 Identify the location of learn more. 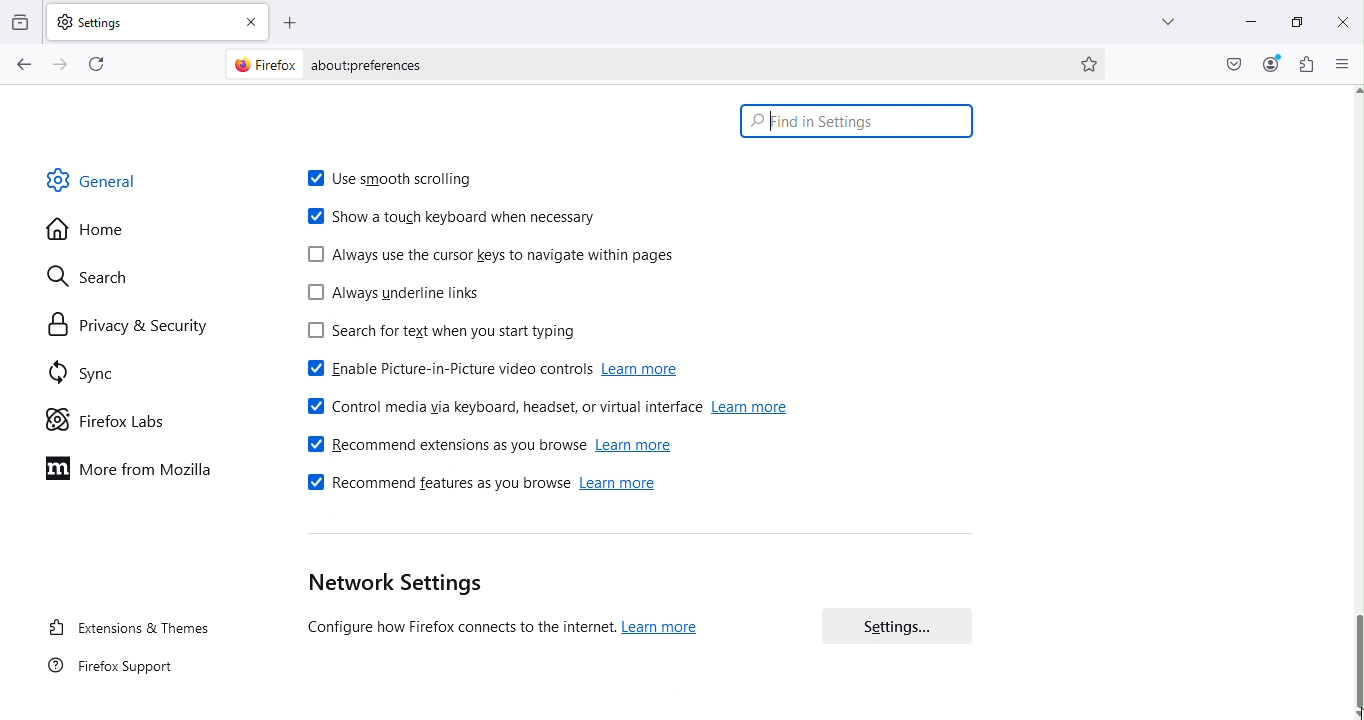
(663, 627).